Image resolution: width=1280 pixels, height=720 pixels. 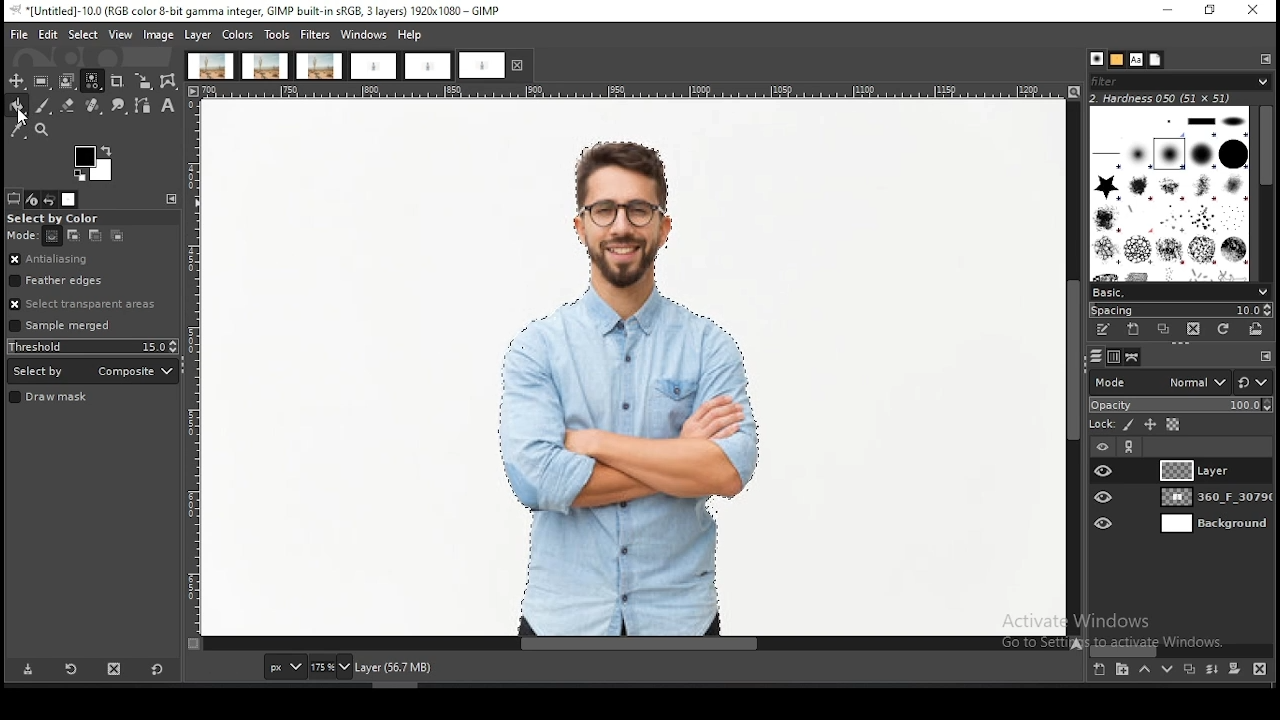 What do you see at coordinates (638, 644) in the screenshot?
I see `scroll bar` at bounding box center [638, 644].